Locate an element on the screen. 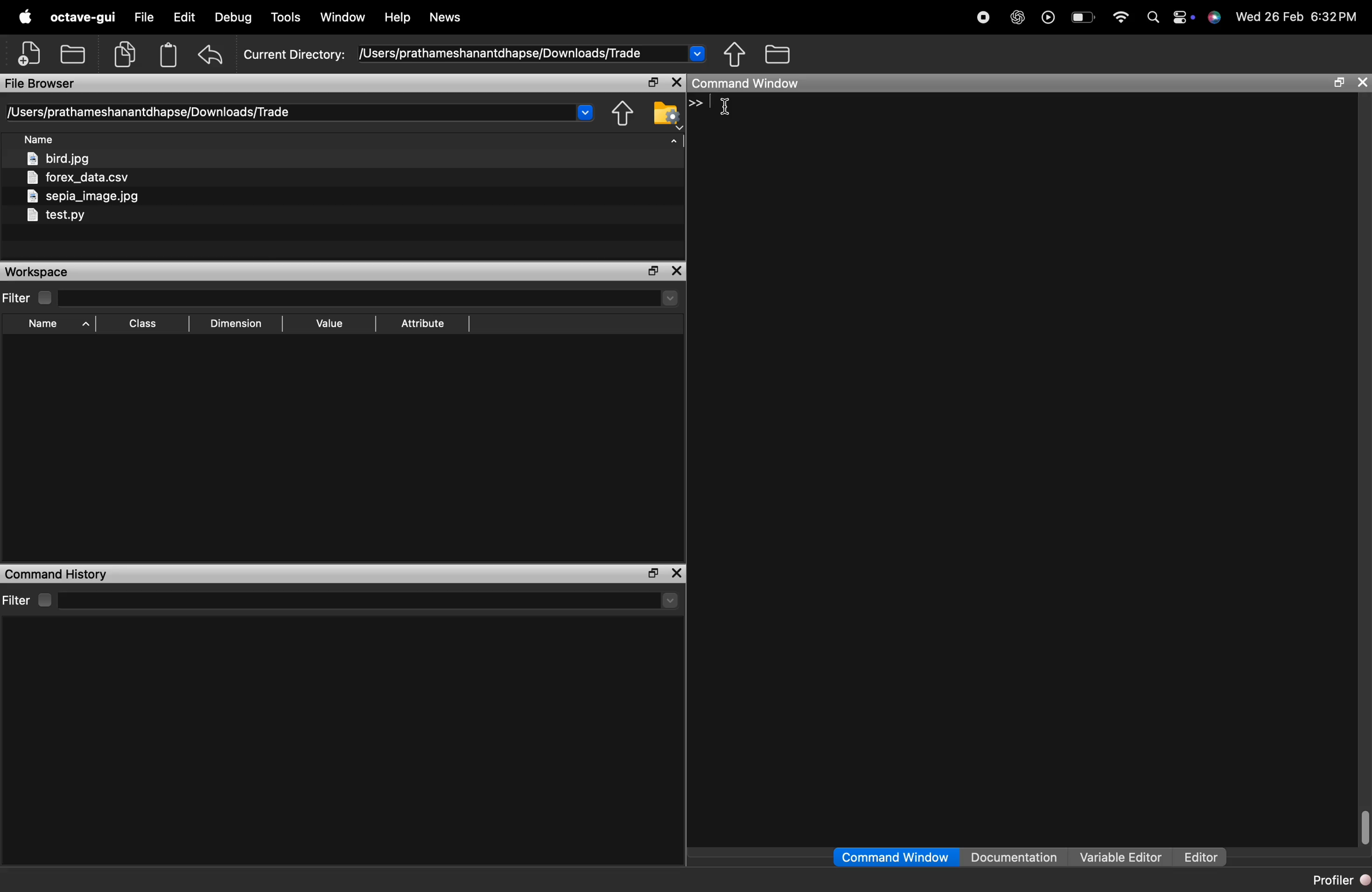 Image resolution: width=1372 pixels, height=892 pixels. maximize is located at coordinates (651, 83).